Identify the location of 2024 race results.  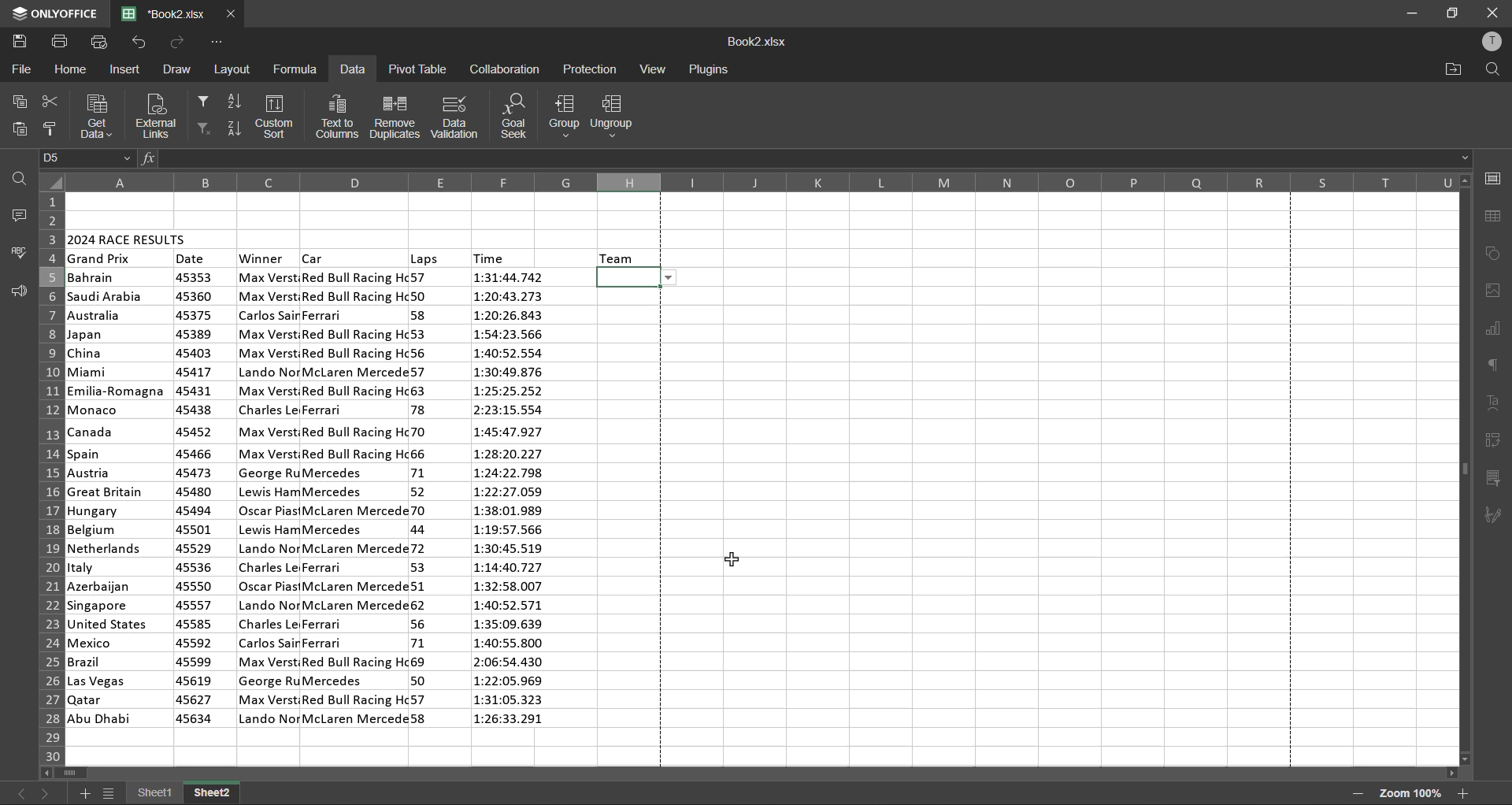
(129, 237).